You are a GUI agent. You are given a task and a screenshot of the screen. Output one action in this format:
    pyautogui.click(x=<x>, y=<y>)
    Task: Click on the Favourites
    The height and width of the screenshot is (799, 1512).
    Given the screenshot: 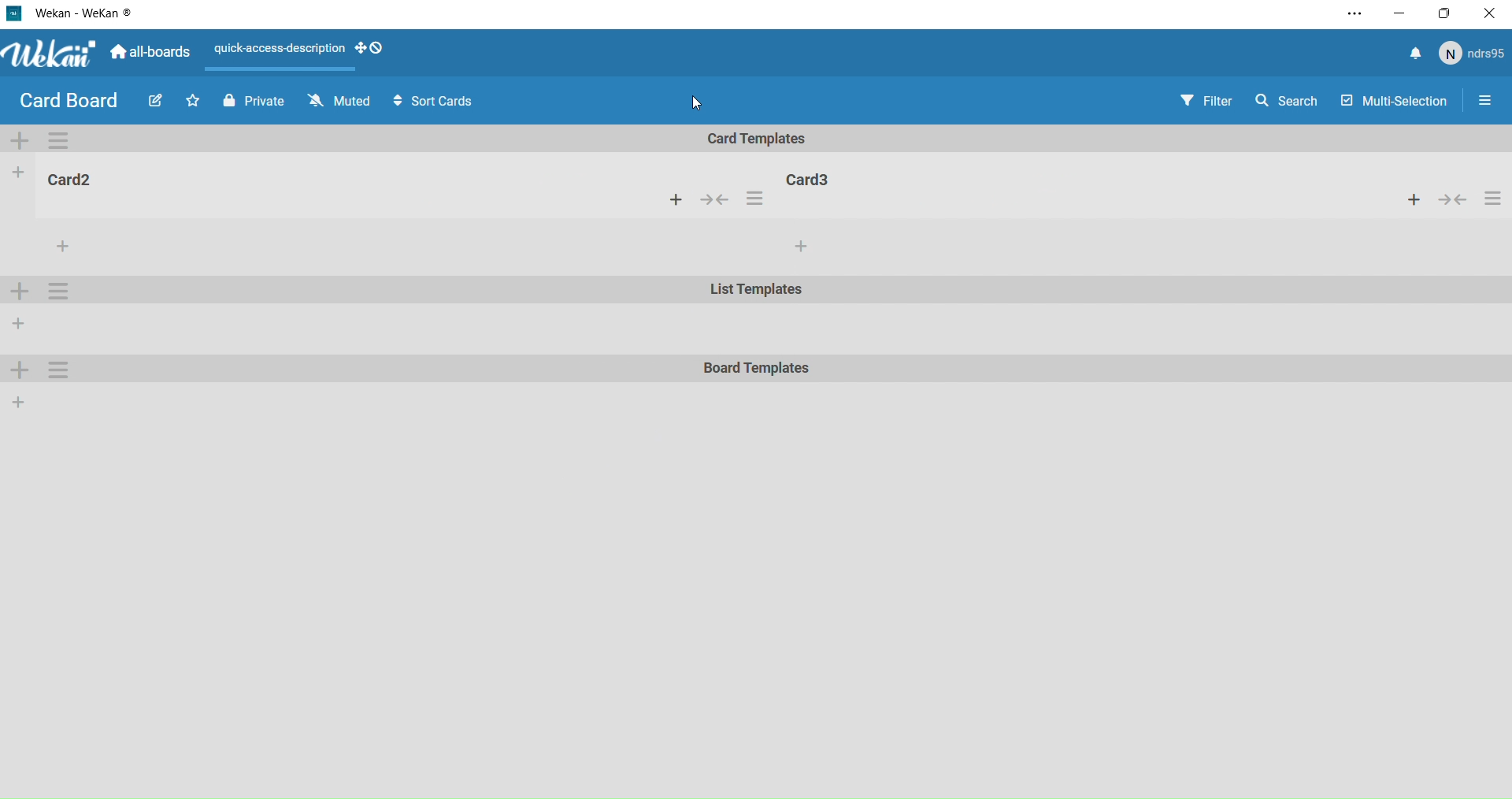 What is the action you would take?
    pyautogui.click(x=194, y=101)
    